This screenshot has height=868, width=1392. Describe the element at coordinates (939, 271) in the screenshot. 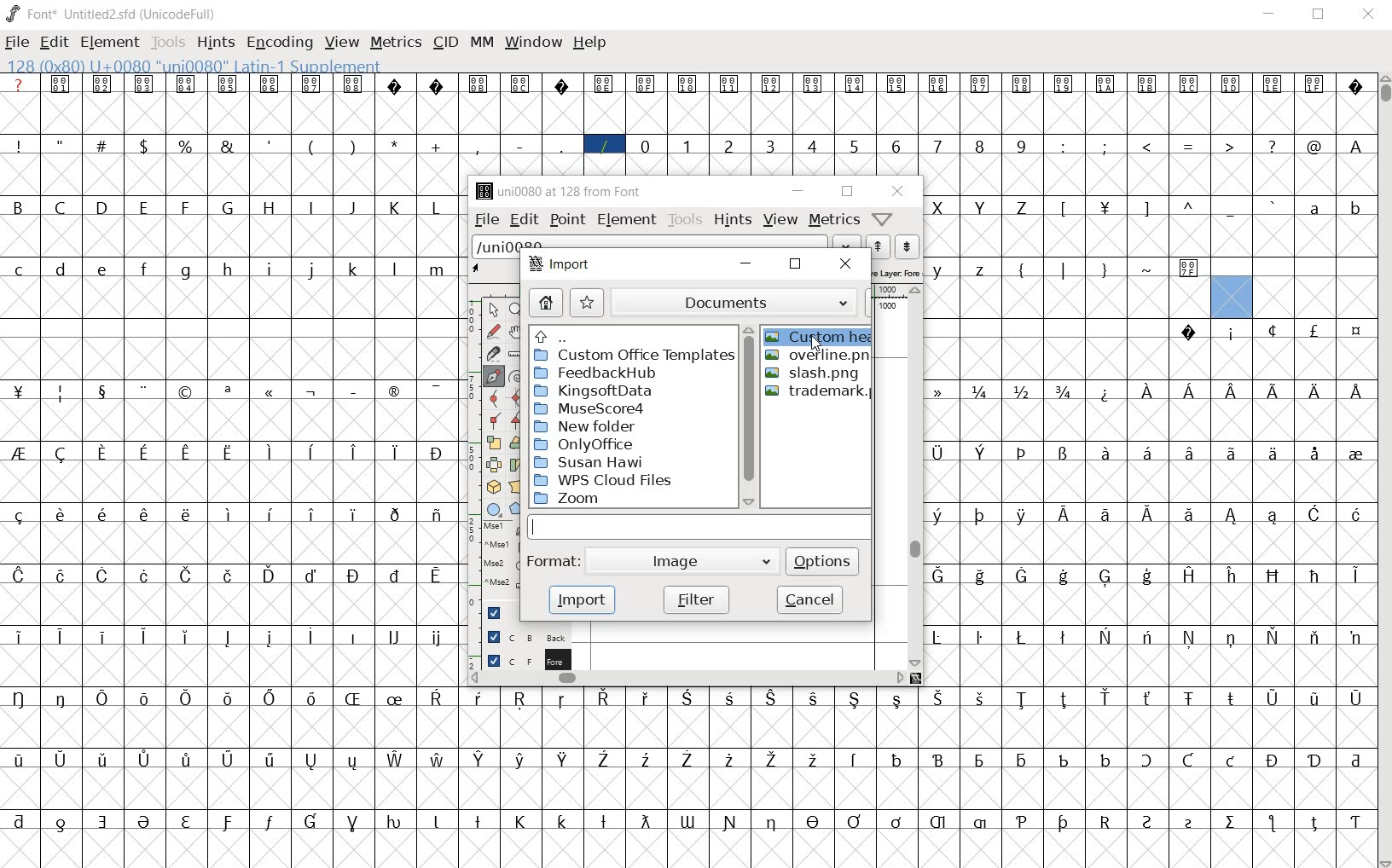

I see `glyph` at that location.